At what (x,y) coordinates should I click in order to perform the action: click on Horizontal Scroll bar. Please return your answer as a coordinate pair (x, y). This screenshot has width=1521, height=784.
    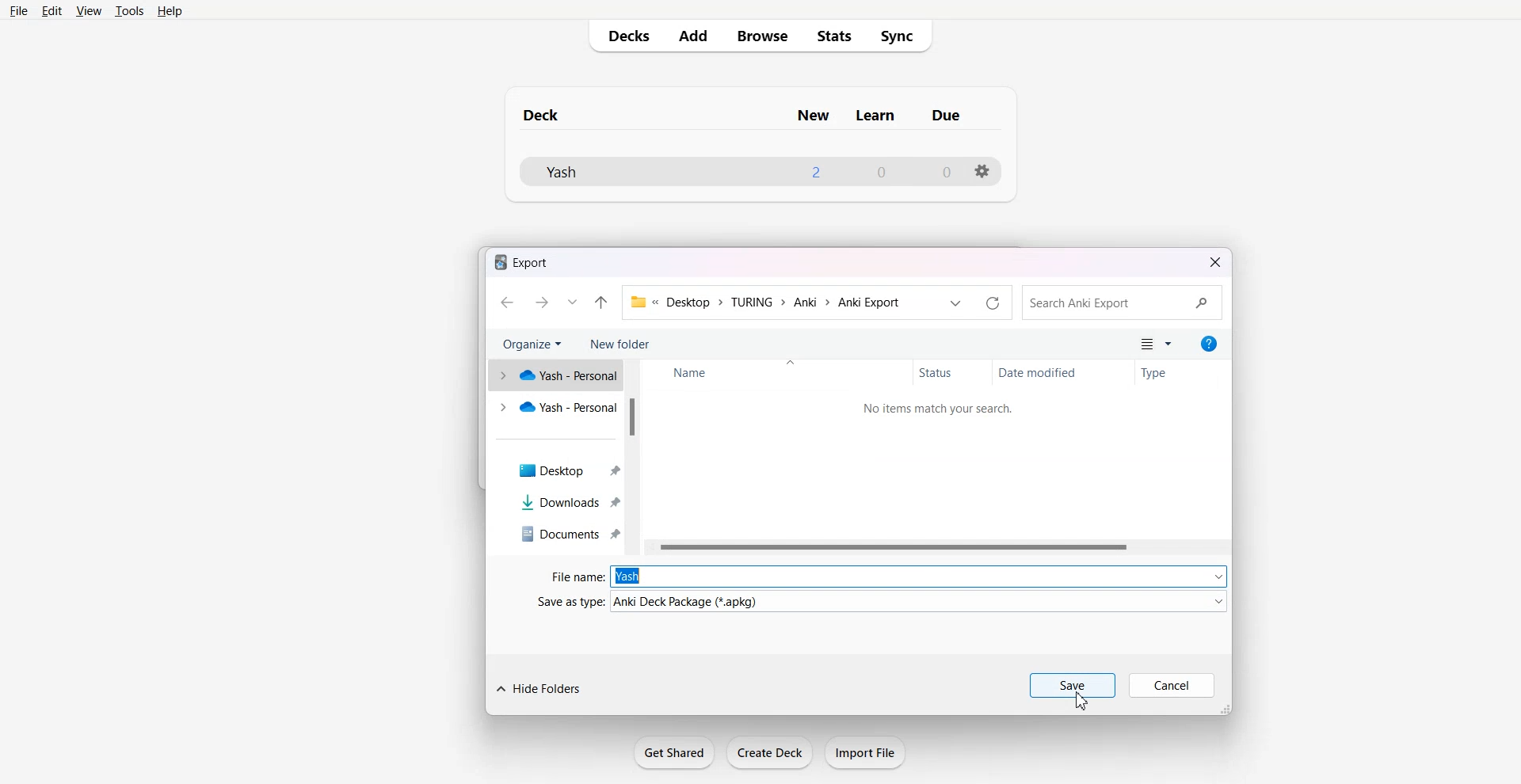
    Looking at the image, I should click on (938, 547).